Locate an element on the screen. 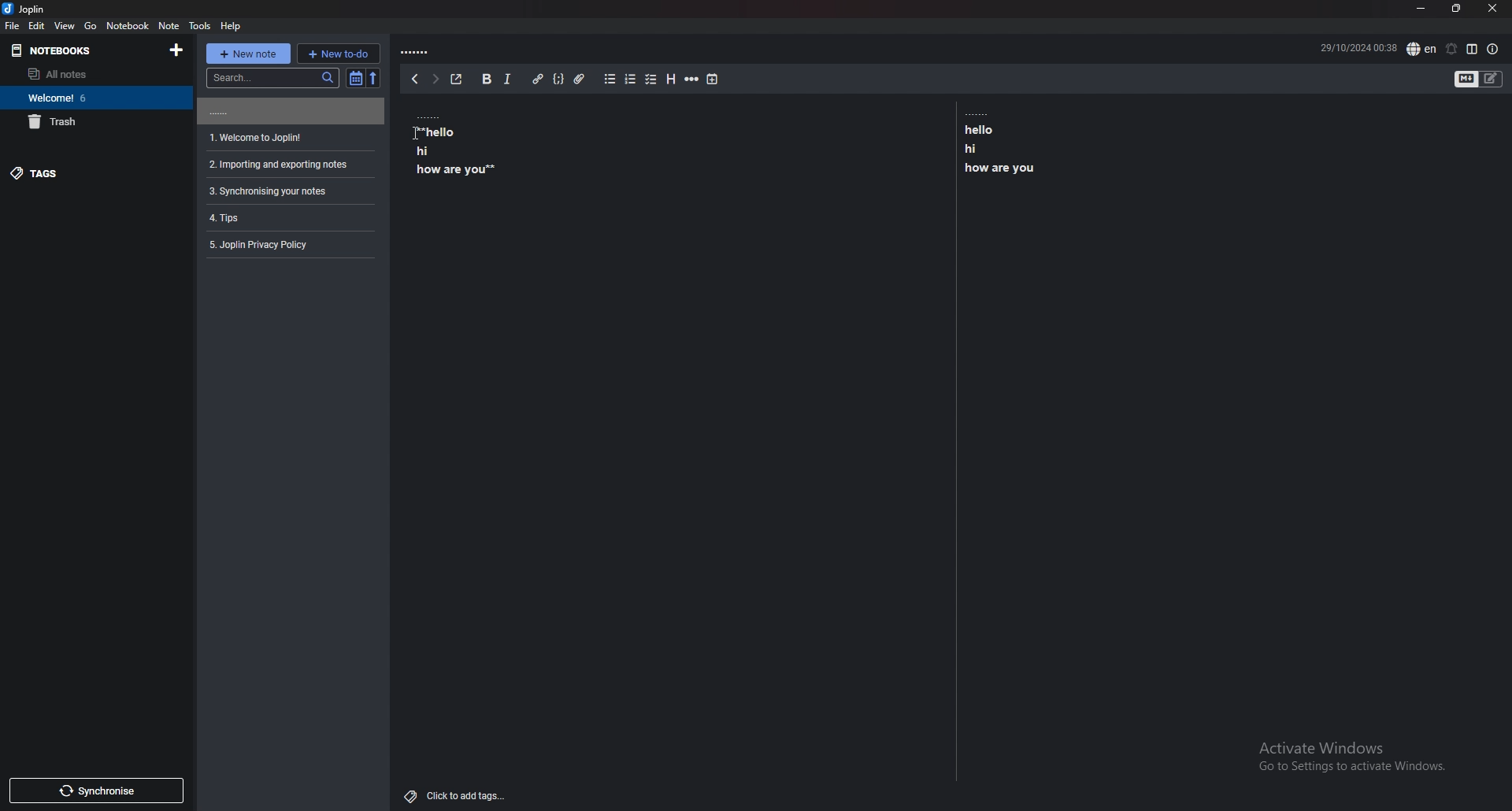 This screenshot has width=1512, height=811. add attachment is located at coordinates (579, 80).